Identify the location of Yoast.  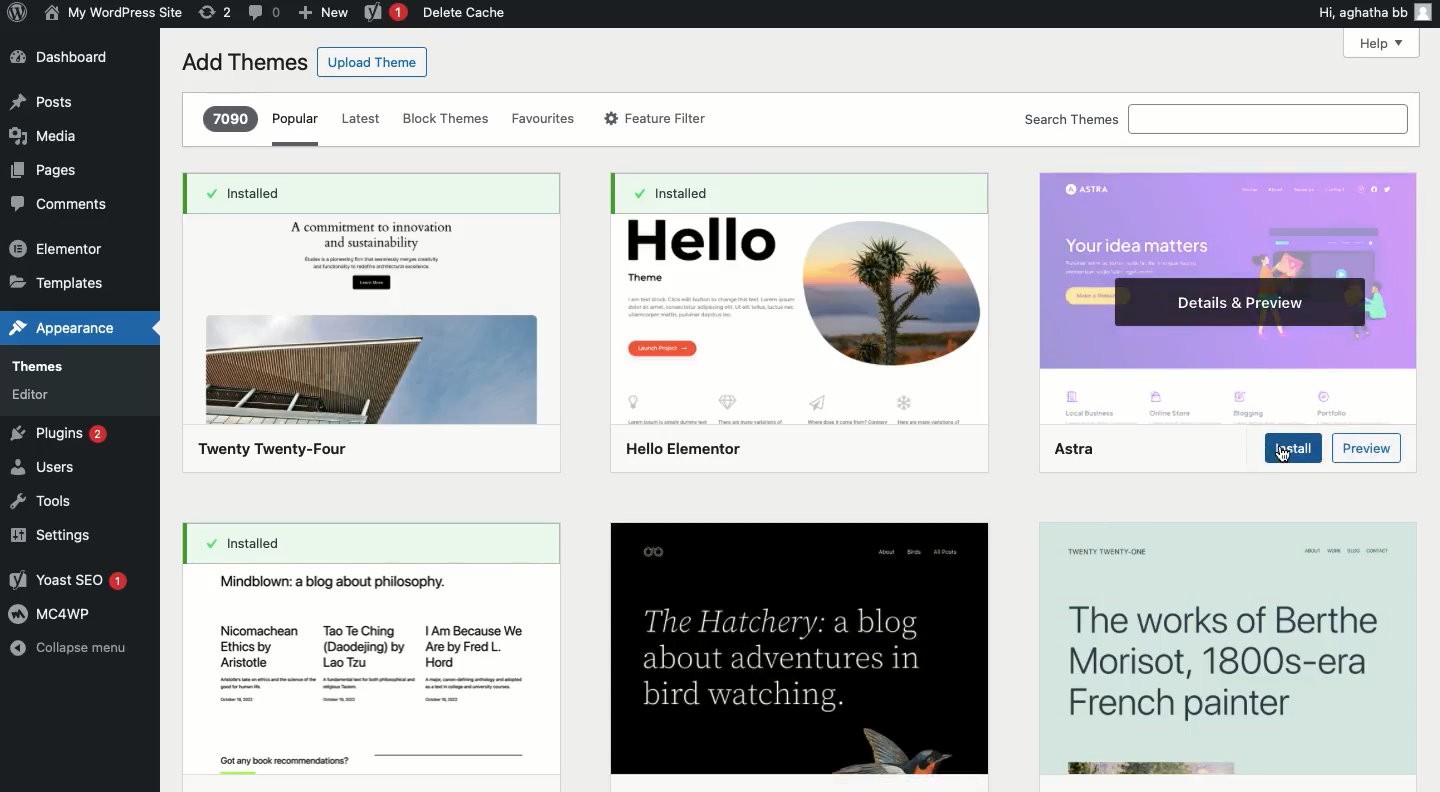
(66, 580).